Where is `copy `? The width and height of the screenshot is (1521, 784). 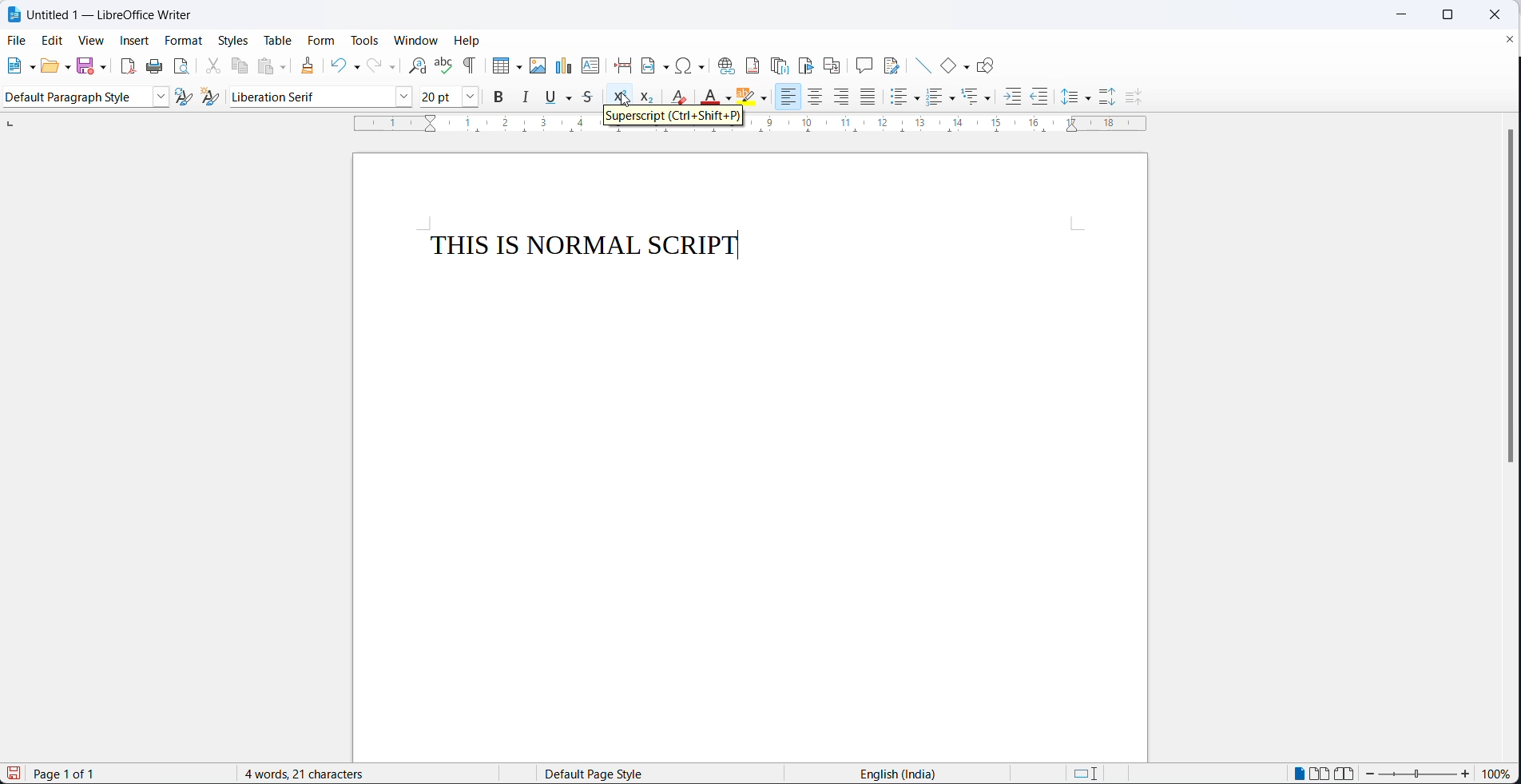 copy  is located at coordinates (240, 65).